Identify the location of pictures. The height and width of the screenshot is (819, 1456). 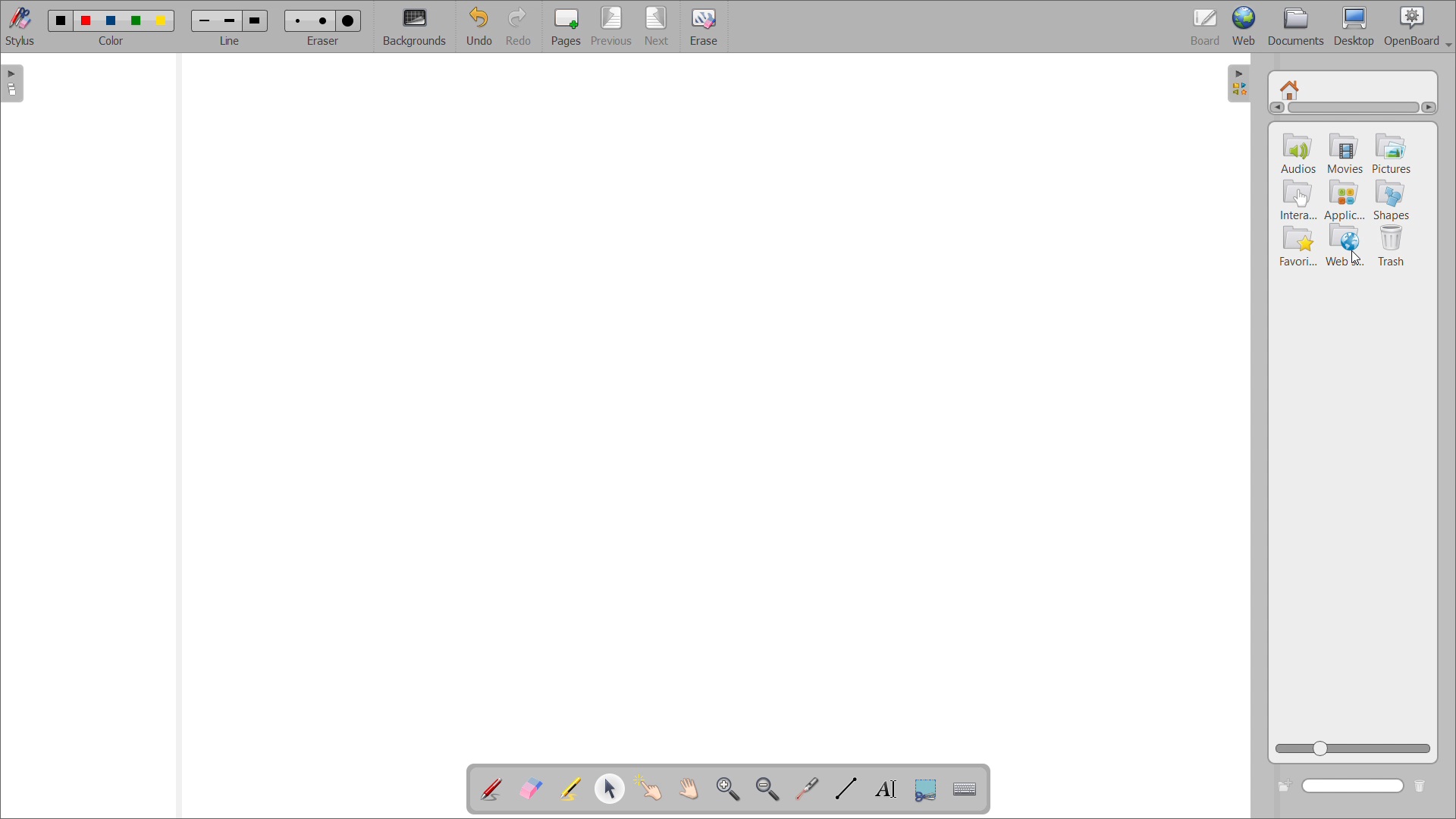
(1393, 152).